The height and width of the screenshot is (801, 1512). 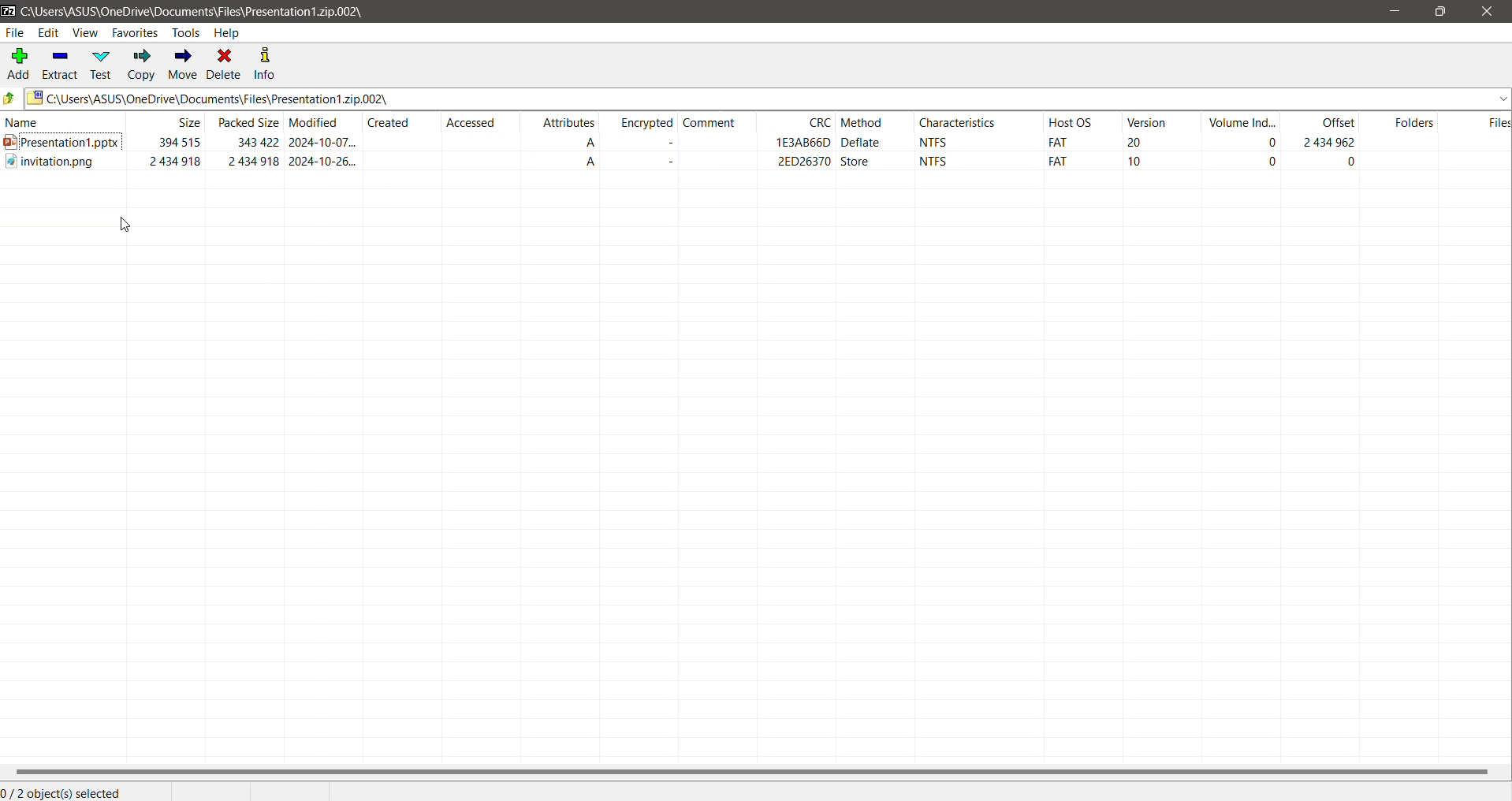 What do you see at coordinates (1488, 12) in the screenshot?
I see `Close` at bounding box center [1488, 12].